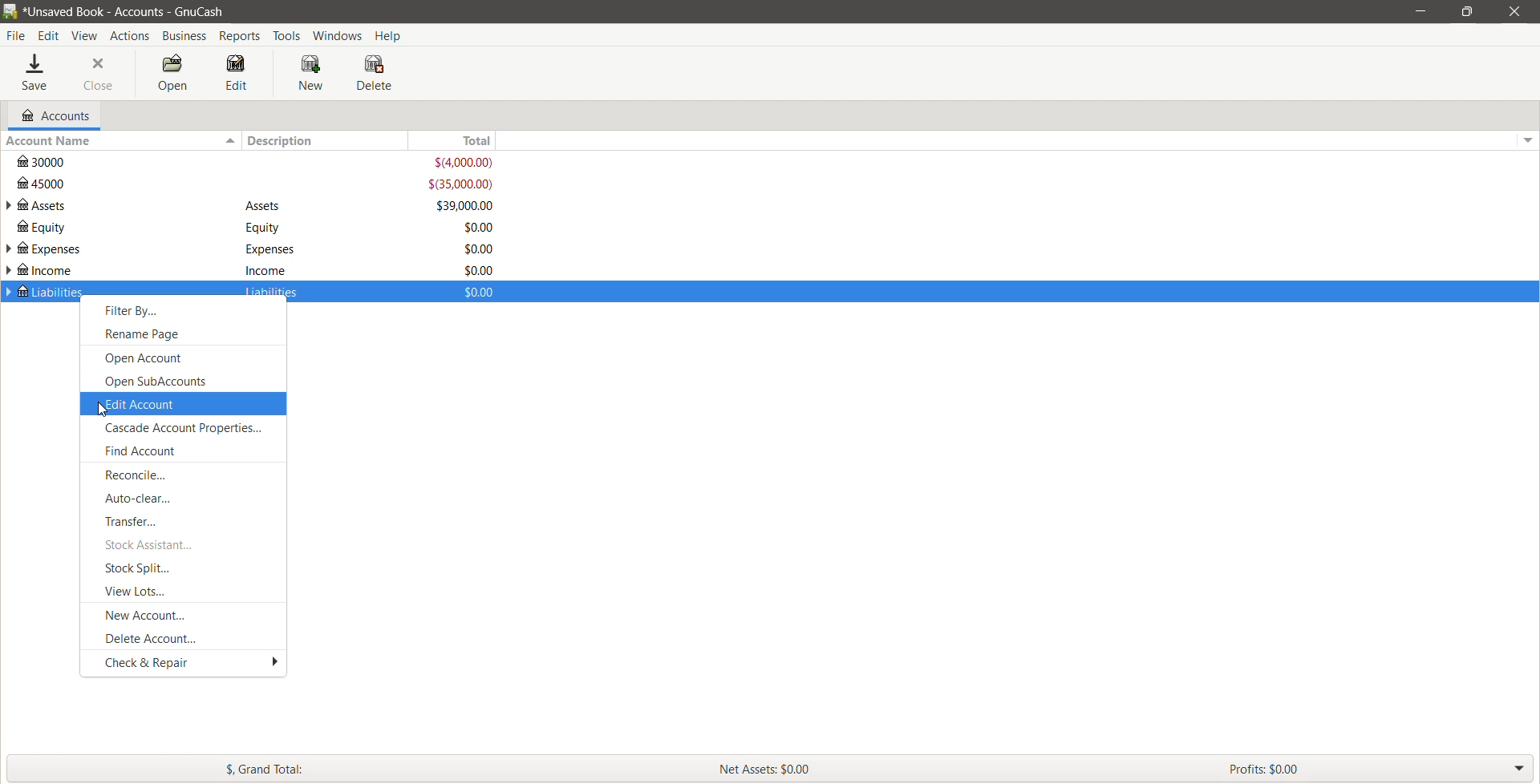 The width and height of the screenshot is (1540, 784). Describe the element at coordinates (151, 615) in the screenshot. I see `New Account` at that location.